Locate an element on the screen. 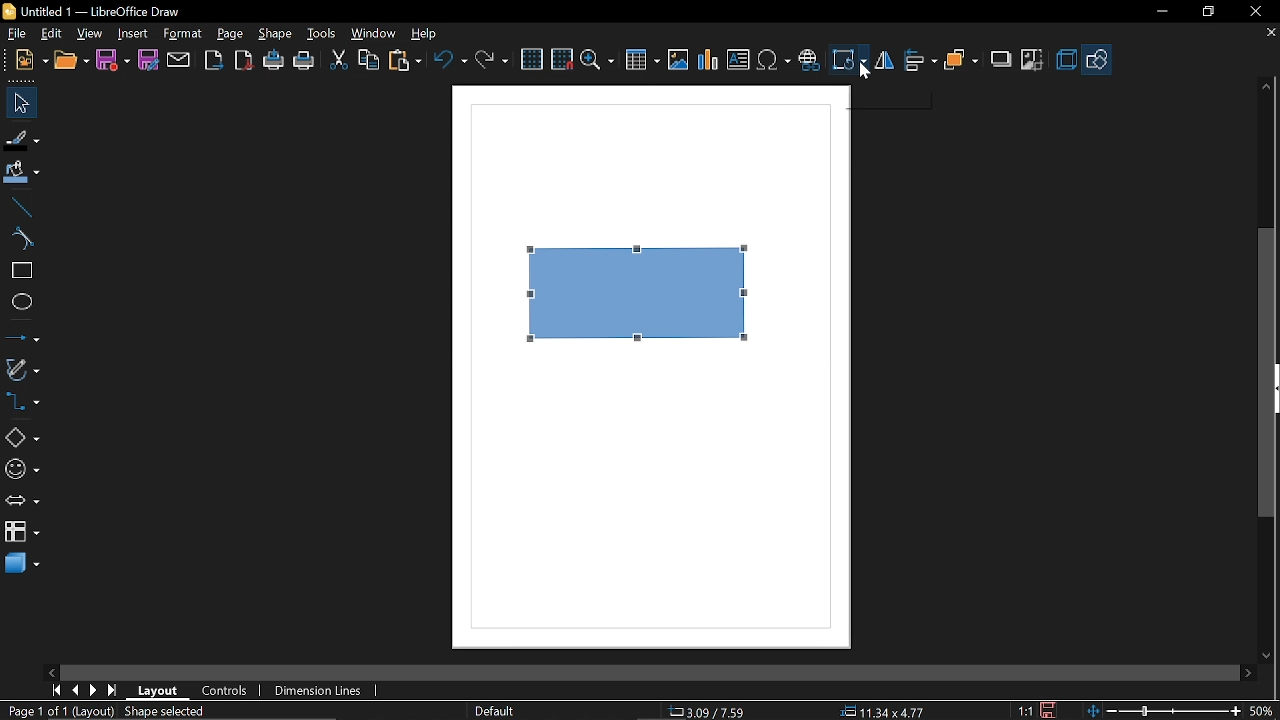 This screenshot has width=1280, height=720. arrange is located at coordinates (962, 59).